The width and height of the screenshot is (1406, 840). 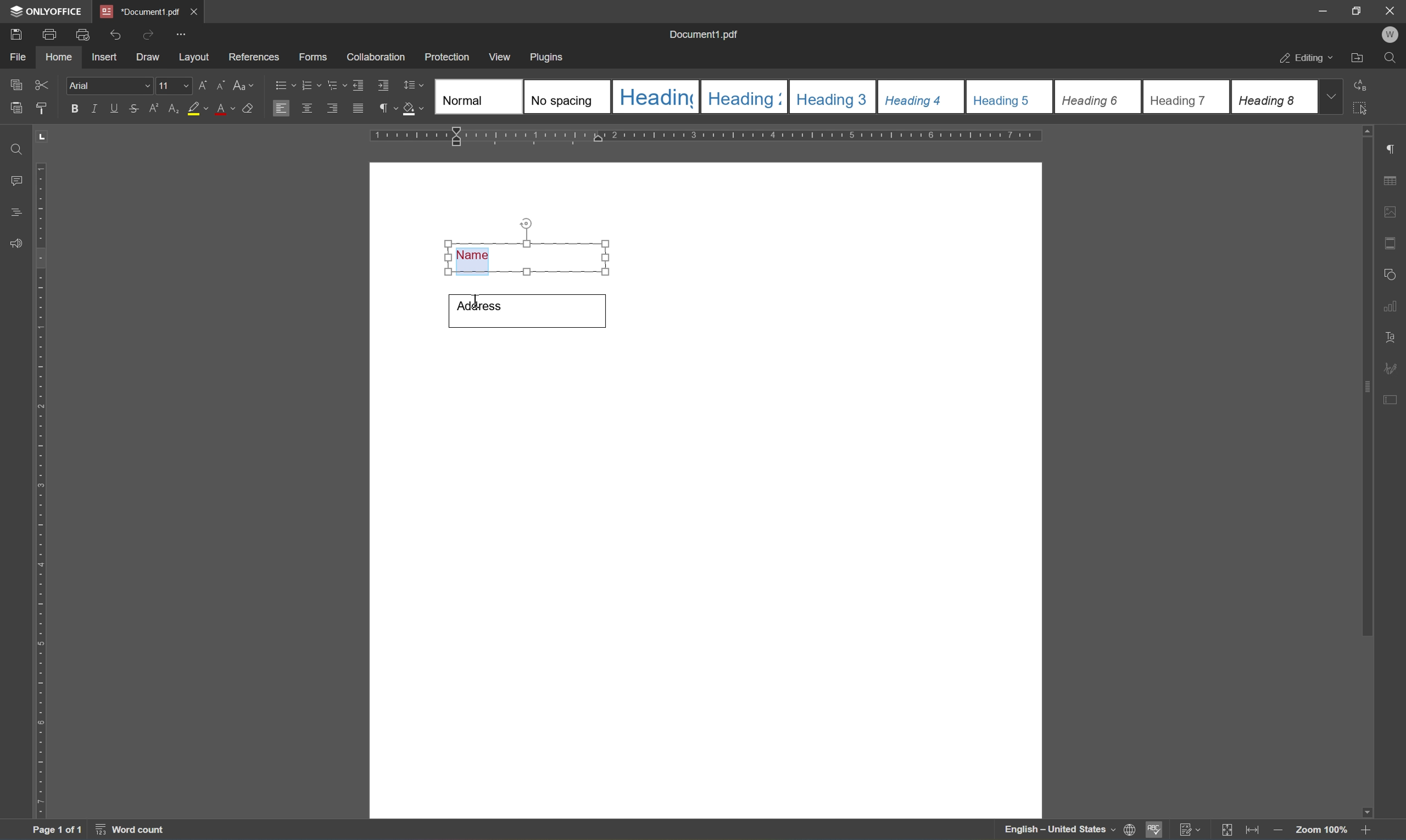 I want to click on zoom in, so click(x=1276, y=830).